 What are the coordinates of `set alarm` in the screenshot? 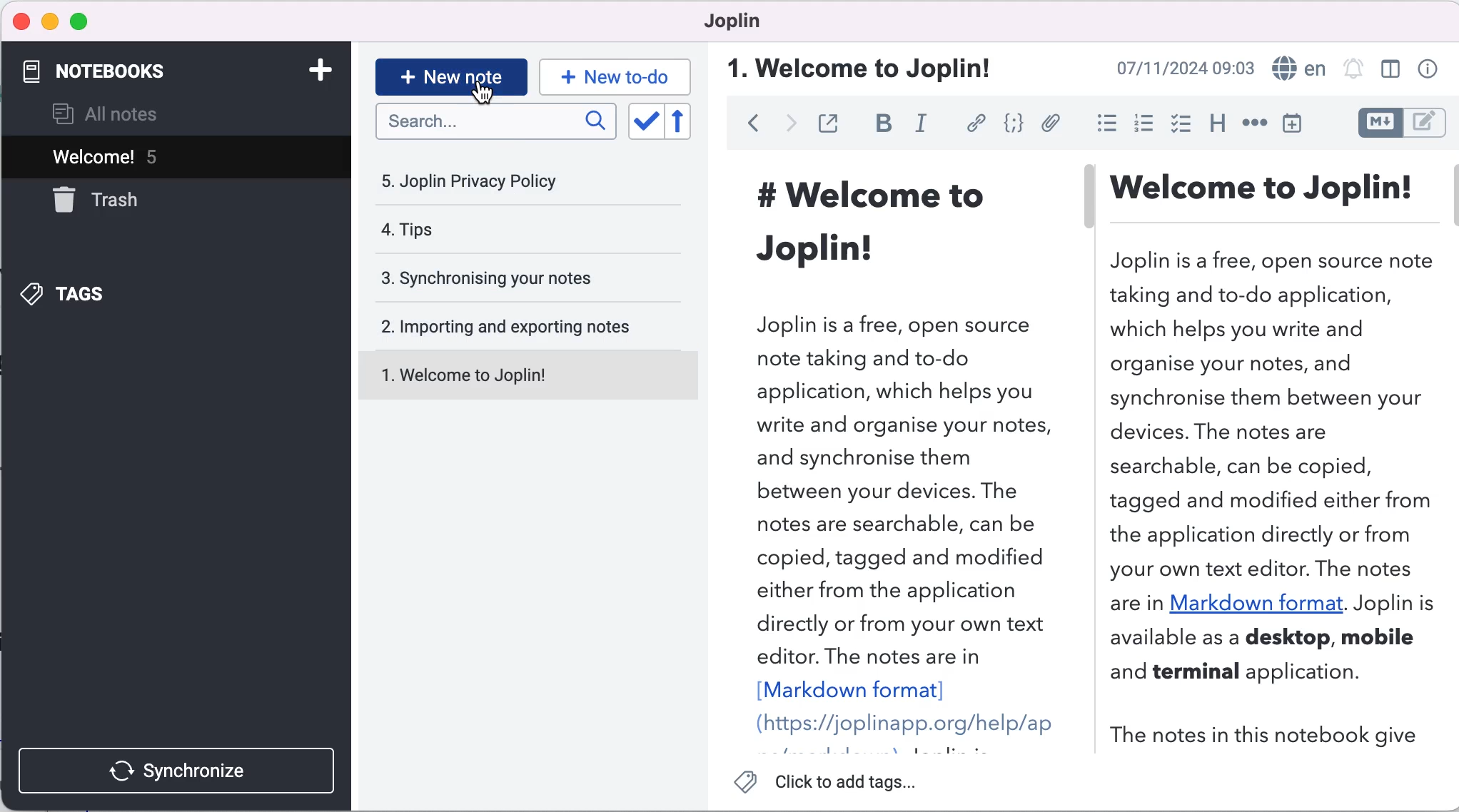 It's located at (1353, 70).